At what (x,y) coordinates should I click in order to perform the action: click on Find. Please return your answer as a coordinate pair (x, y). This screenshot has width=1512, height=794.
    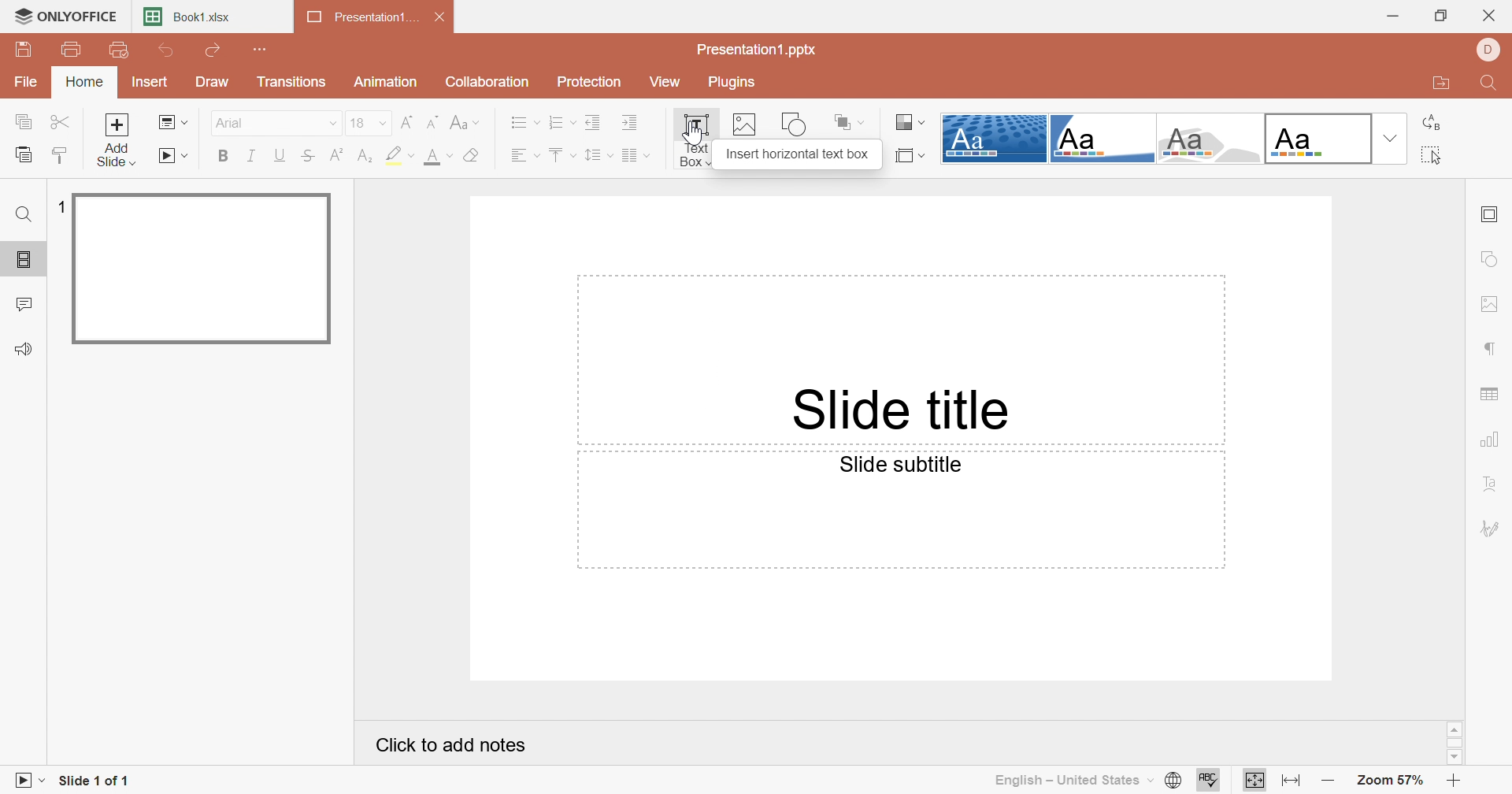
    Looking at the image, I should click on (24, 213).